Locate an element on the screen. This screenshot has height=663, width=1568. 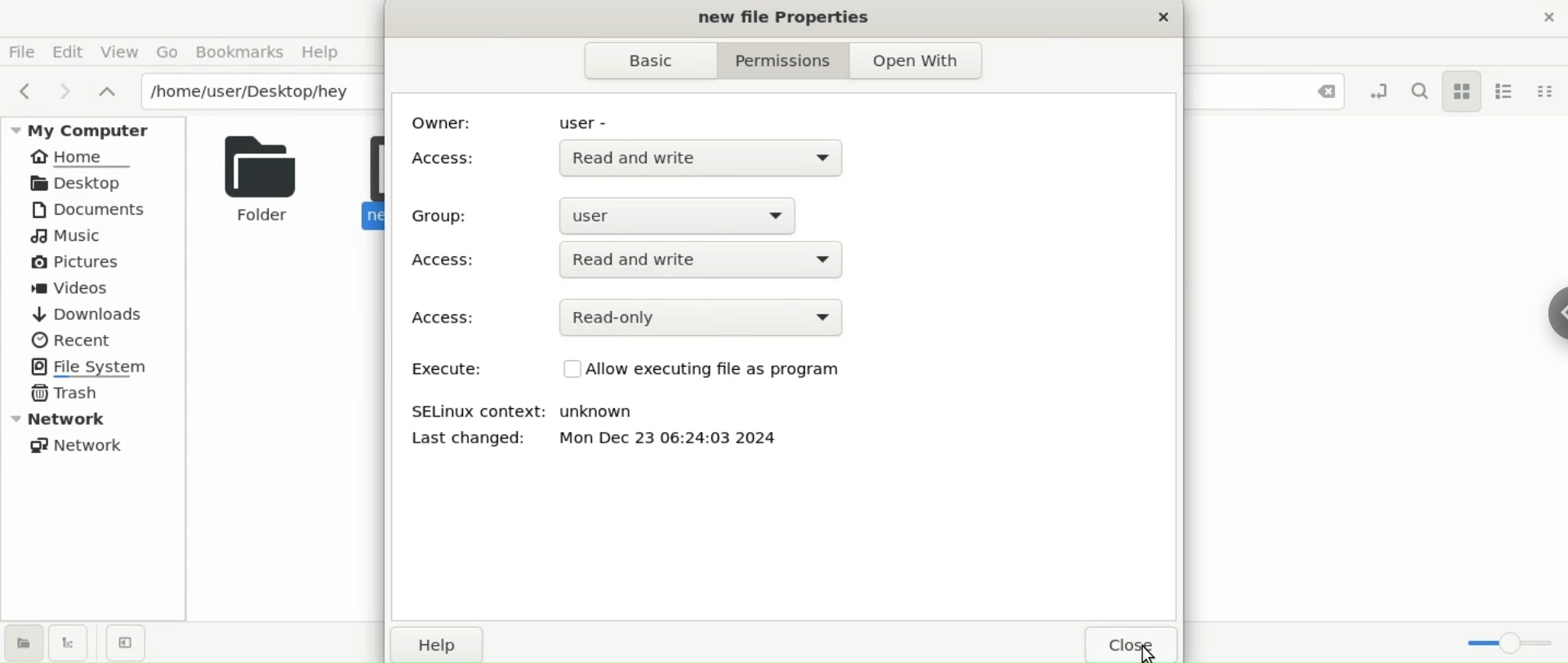
Network is located at coordinates (98, 418).